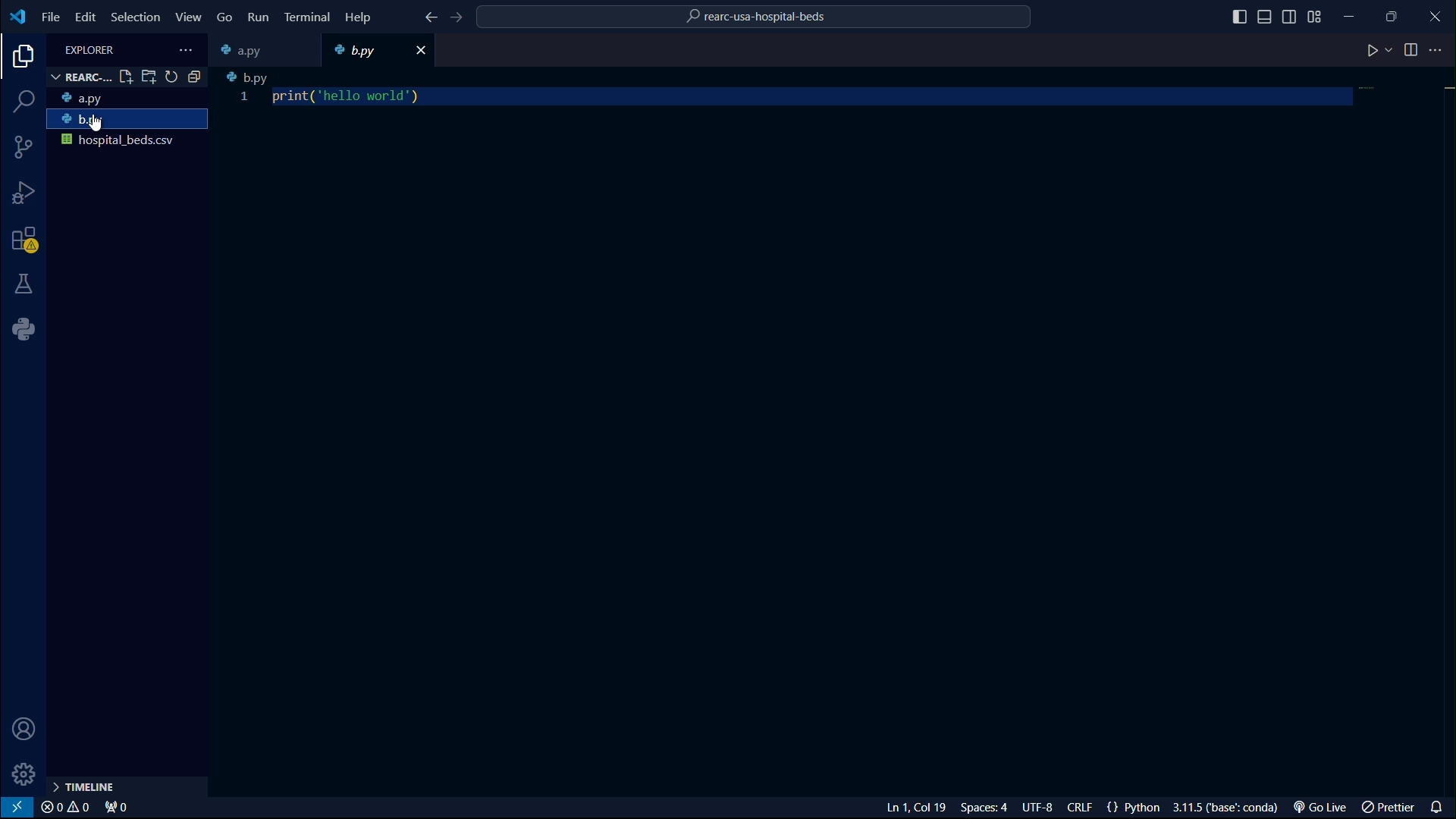 The image size is (1456, 819). Describe the element at coordinates (353, 96) in the screenshot. I see `print('hello turing')` at that location.